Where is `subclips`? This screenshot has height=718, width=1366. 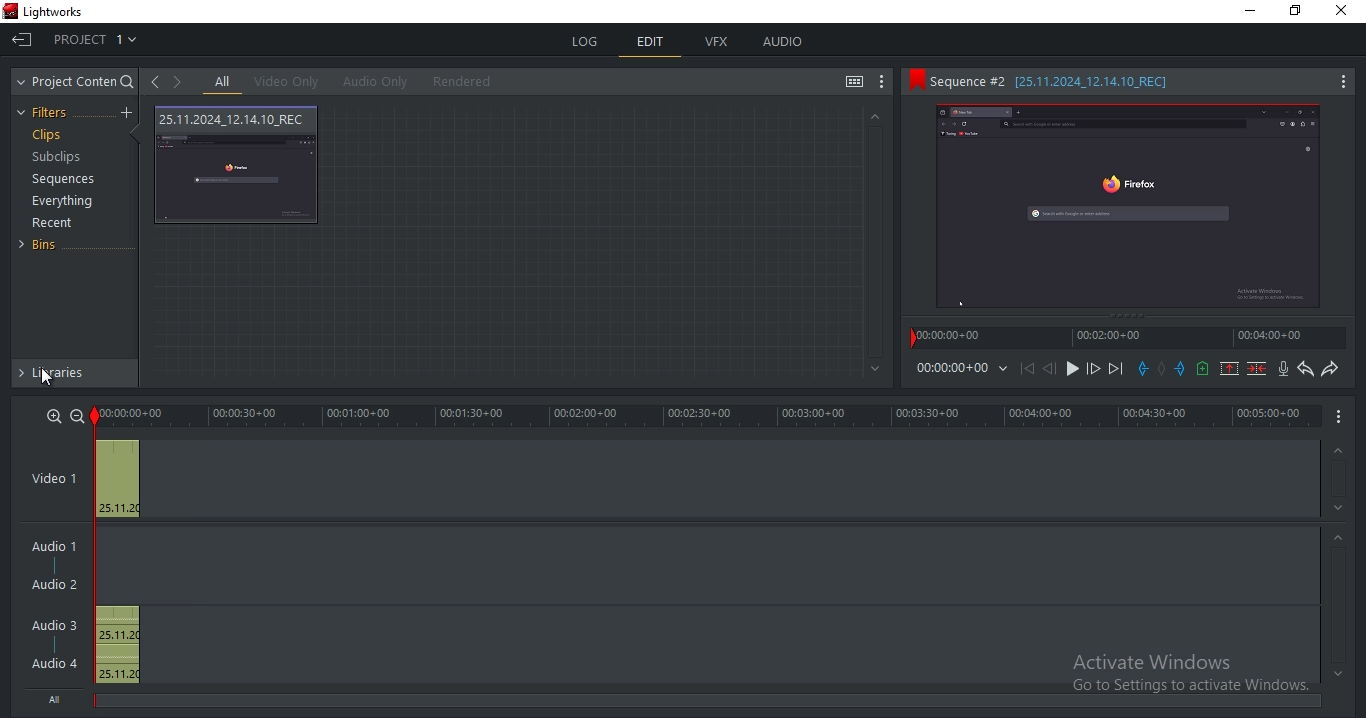 subclips is located at coordinates (55, 158).